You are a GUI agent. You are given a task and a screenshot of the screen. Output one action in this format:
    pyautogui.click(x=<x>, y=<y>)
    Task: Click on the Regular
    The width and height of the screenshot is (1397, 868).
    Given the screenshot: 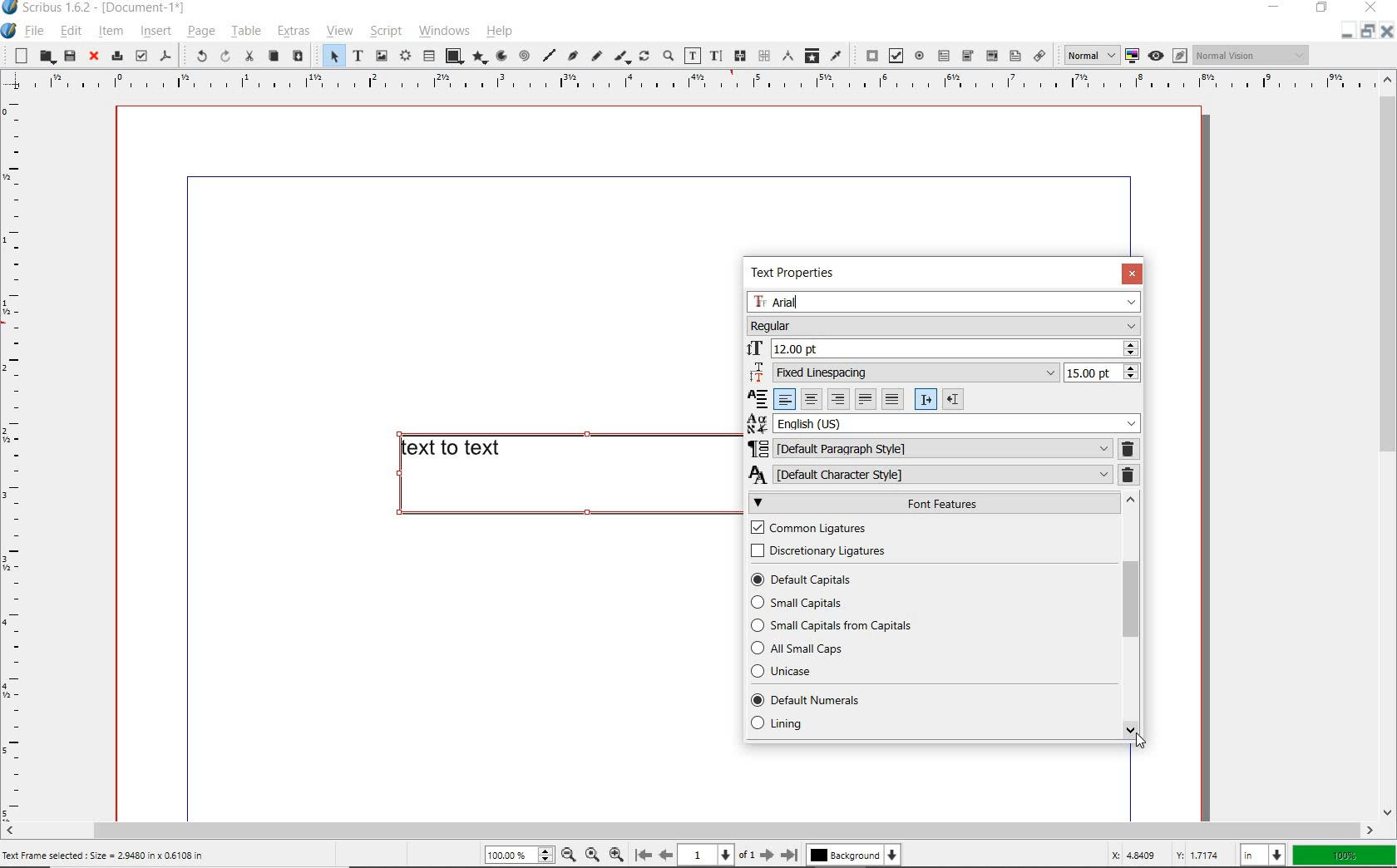 What is the action you would take?
    pyautogui.click(x=942, y=326)
    